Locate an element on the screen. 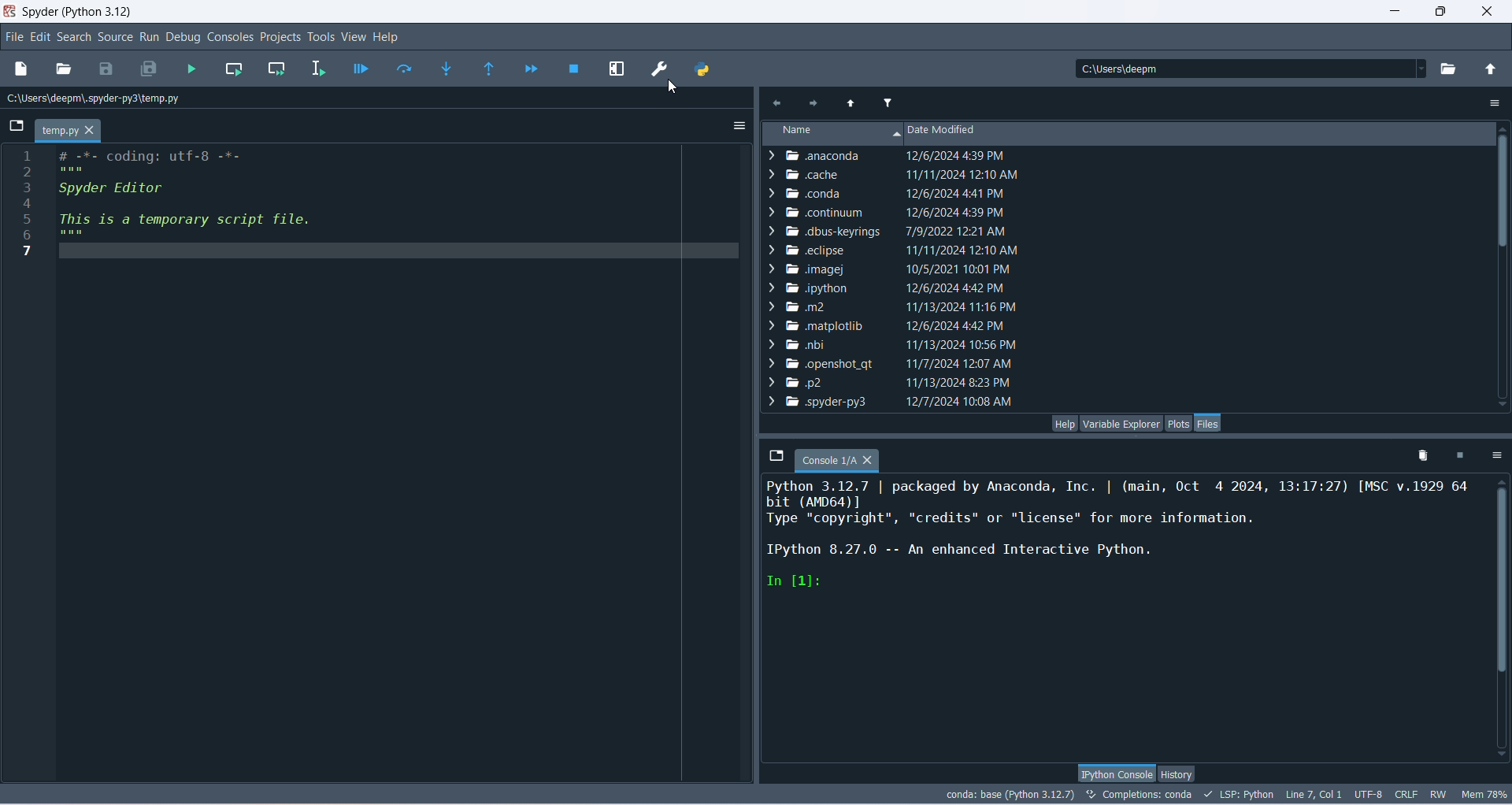 The width and height of the screenshot is (1512, 805). minimize is located at coordinates (1391, 9).